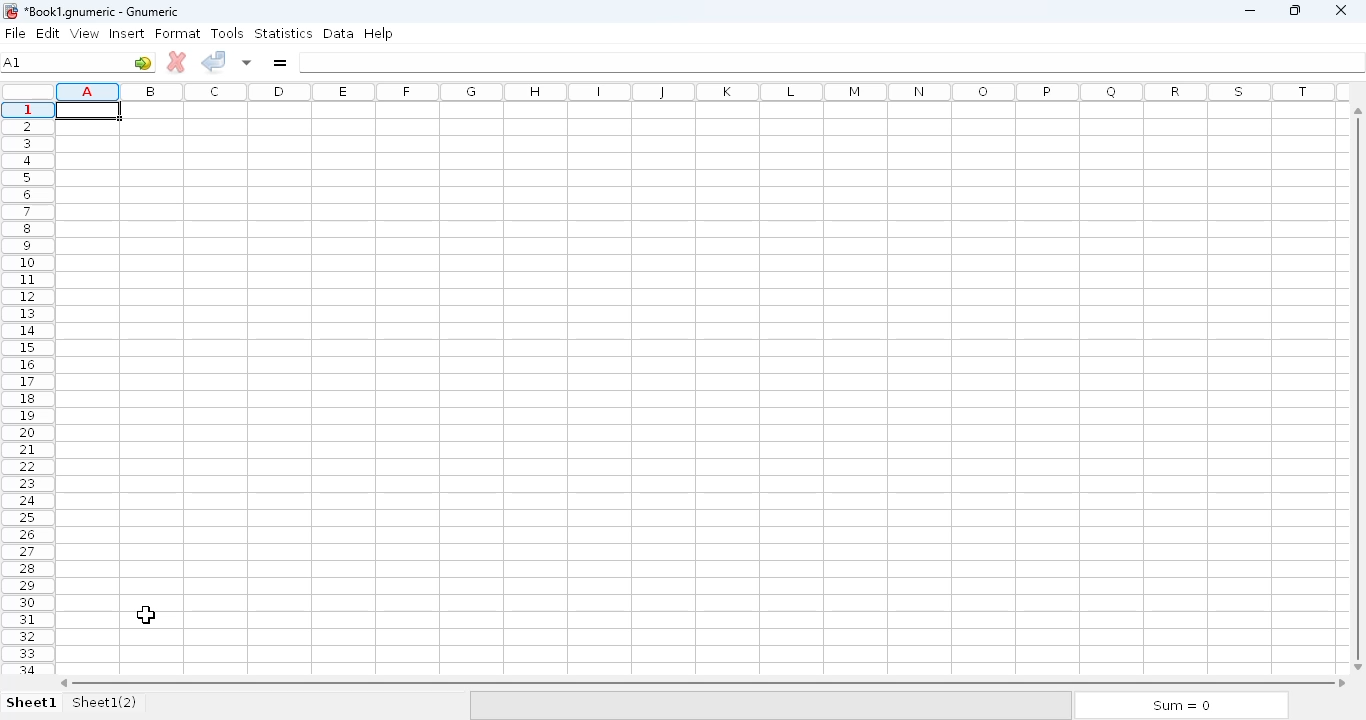 The height and width of the screenshot is (720, 1366). I want to click on maximize, so click(1296, 10).